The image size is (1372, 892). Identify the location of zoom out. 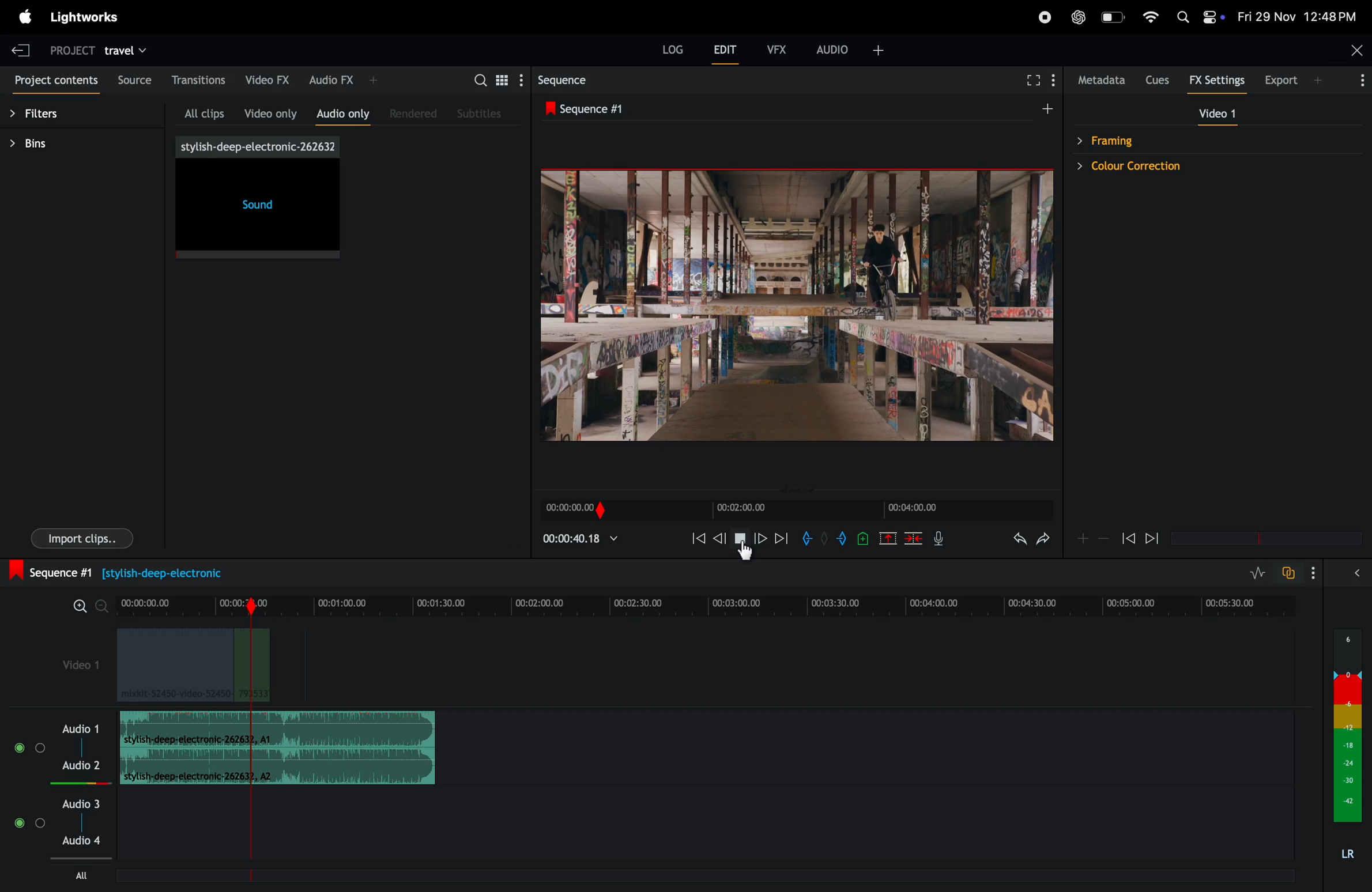
(1106, 540).